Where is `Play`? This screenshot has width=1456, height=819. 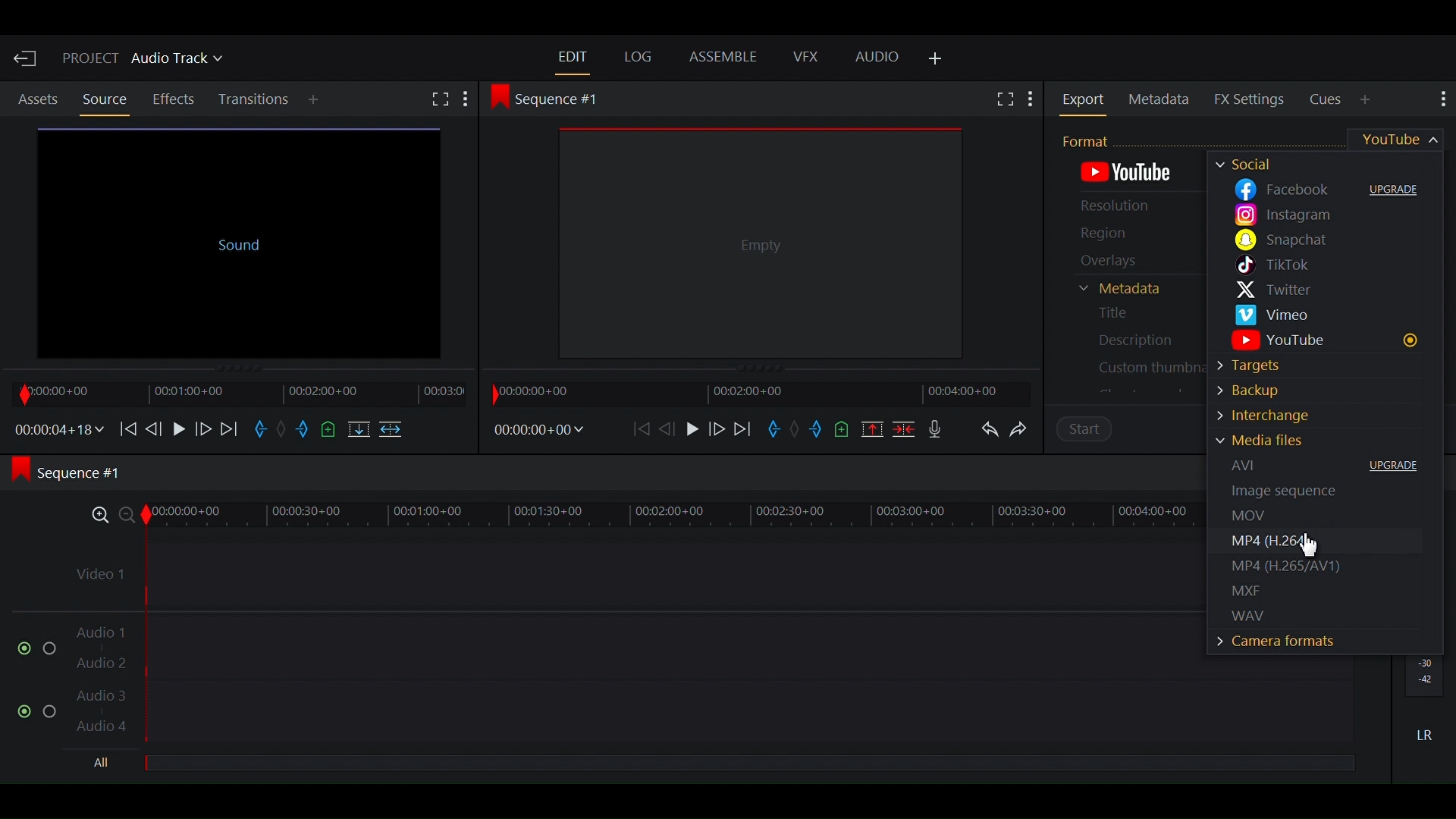
Play is located at coordinates (693, 428).